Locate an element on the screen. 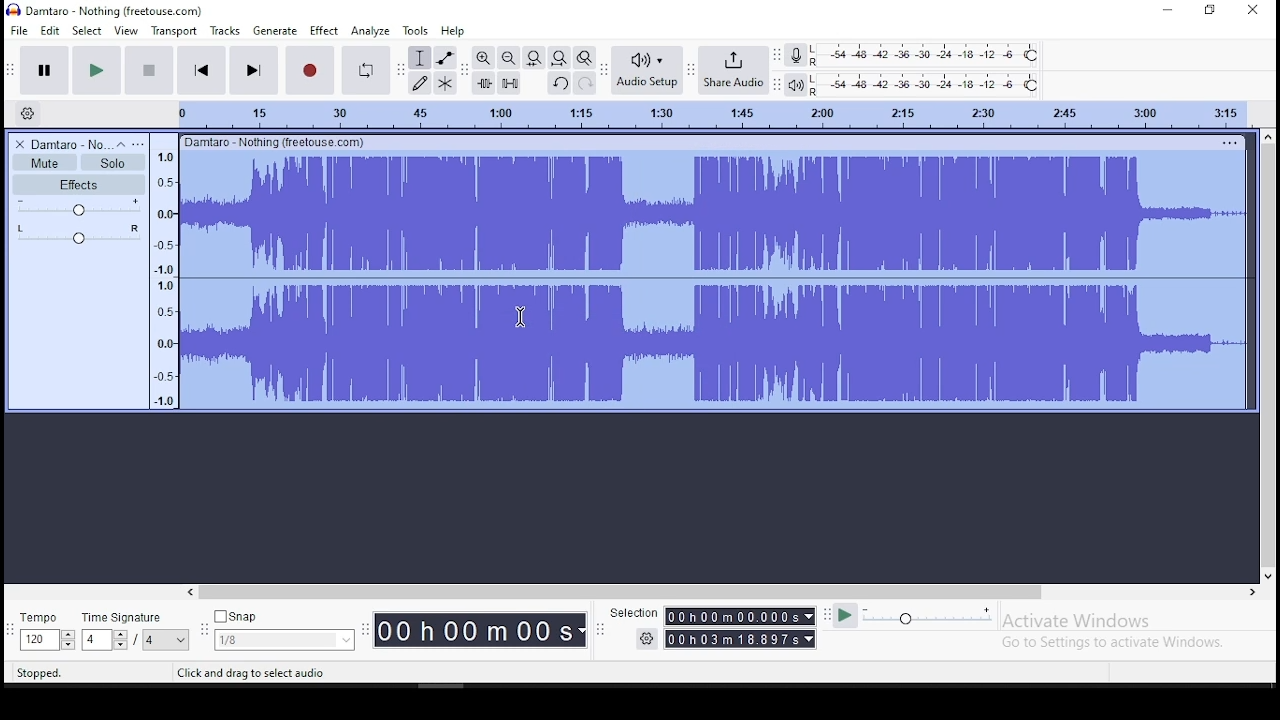 This screenshot has height=720, width=1280. click and drag to move left selection boundary is located at coordinates (295, 673).